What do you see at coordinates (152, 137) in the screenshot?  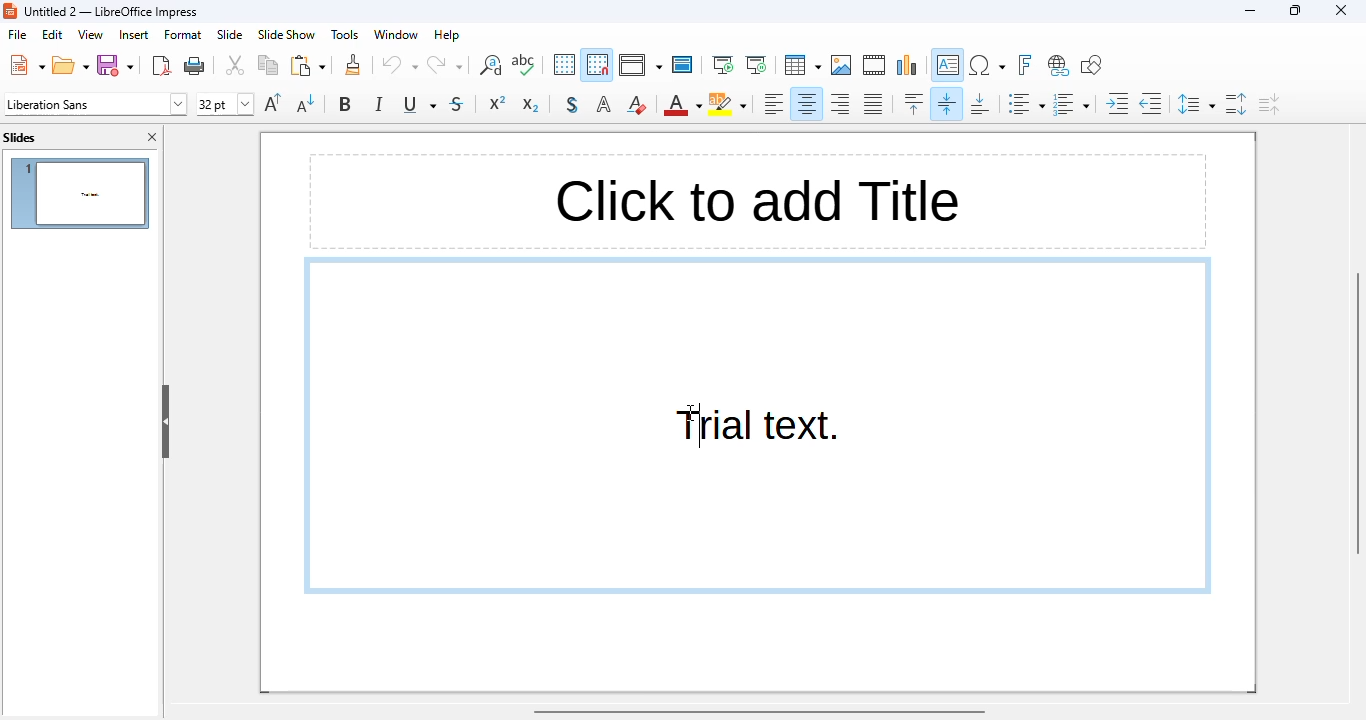 I see `close pane` at bounding box center [152, 137].